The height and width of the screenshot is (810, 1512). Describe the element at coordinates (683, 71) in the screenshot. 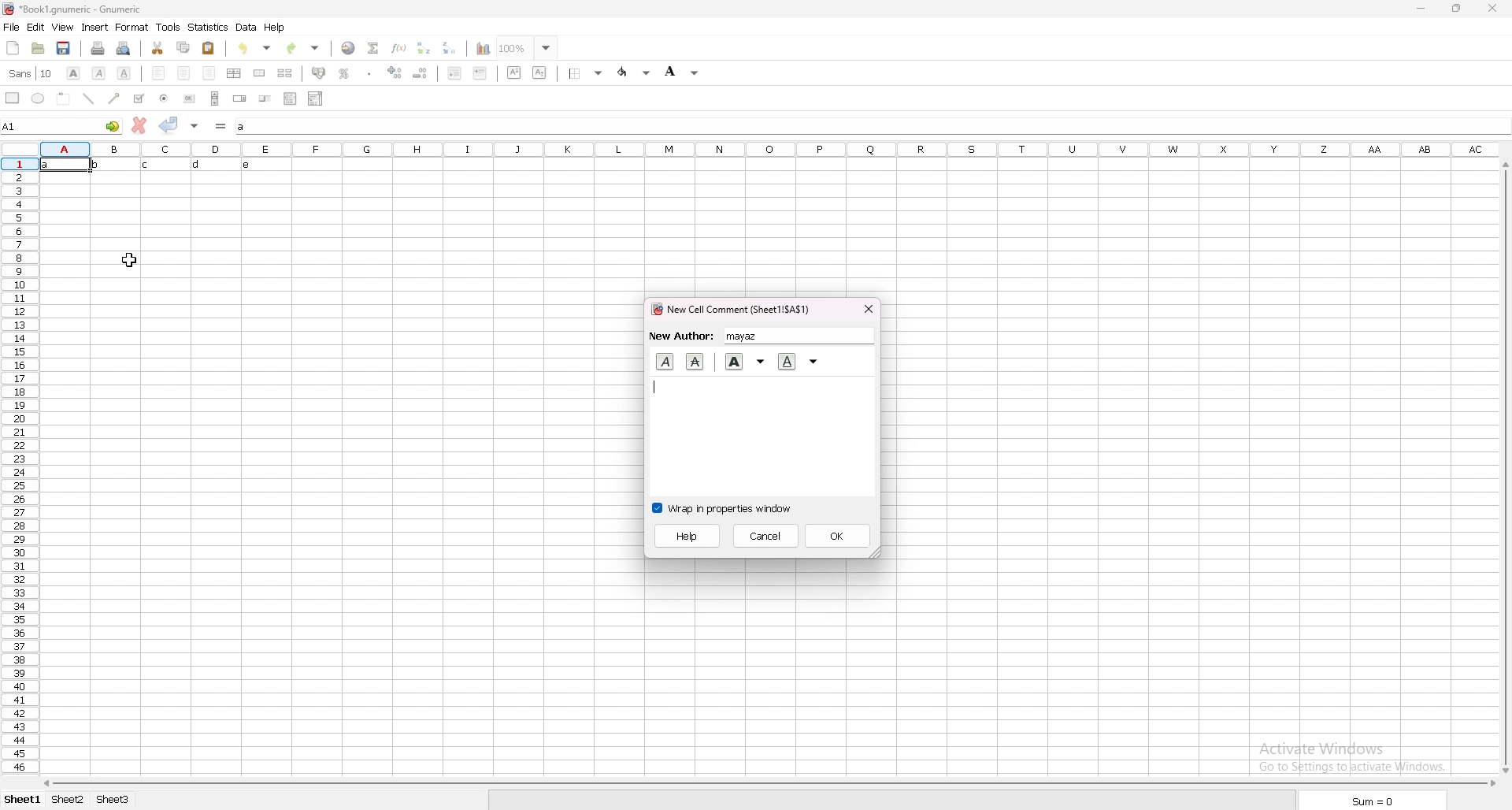

I see `background` at that location.